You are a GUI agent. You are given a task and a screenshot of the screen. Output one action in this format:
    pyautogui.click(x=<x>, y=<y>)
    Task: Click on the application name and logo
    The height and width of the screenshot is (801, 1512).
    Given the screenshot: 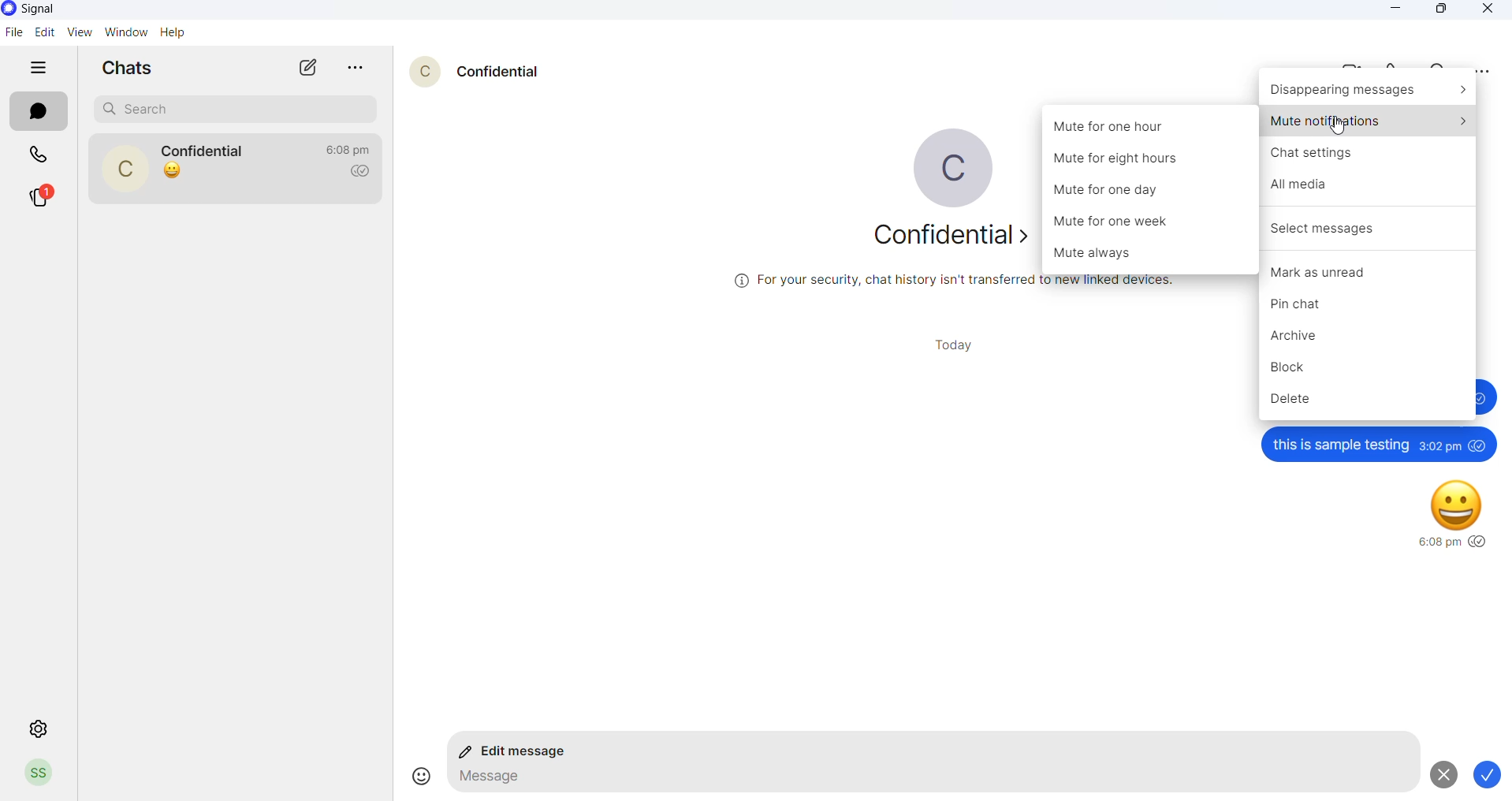 What is the action you would take?
    pyautogui.click(x=50, y=9)
    